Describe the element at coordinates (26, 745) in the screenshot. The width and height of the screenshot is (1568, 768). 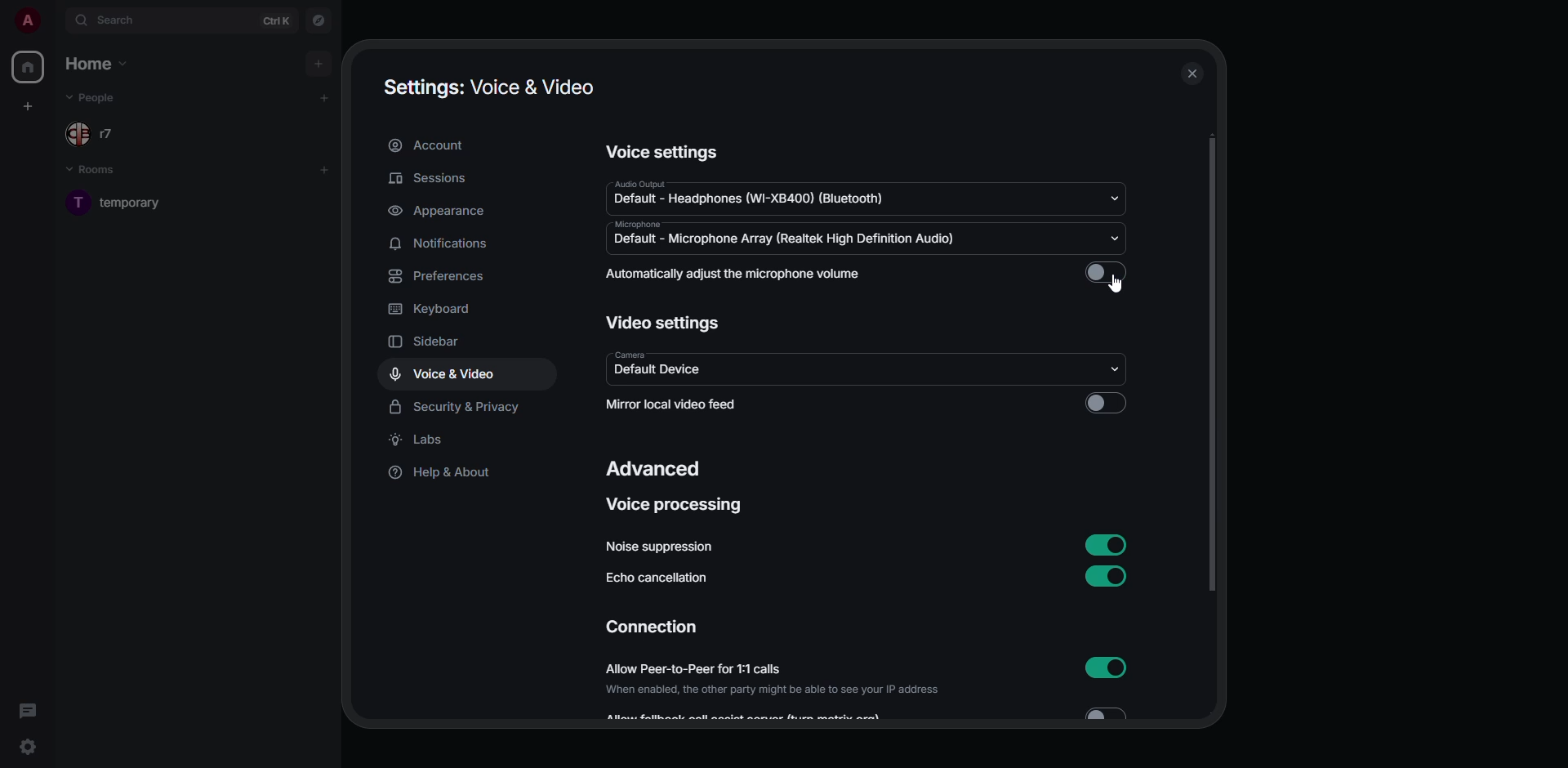
I see `quick settings` at that location.